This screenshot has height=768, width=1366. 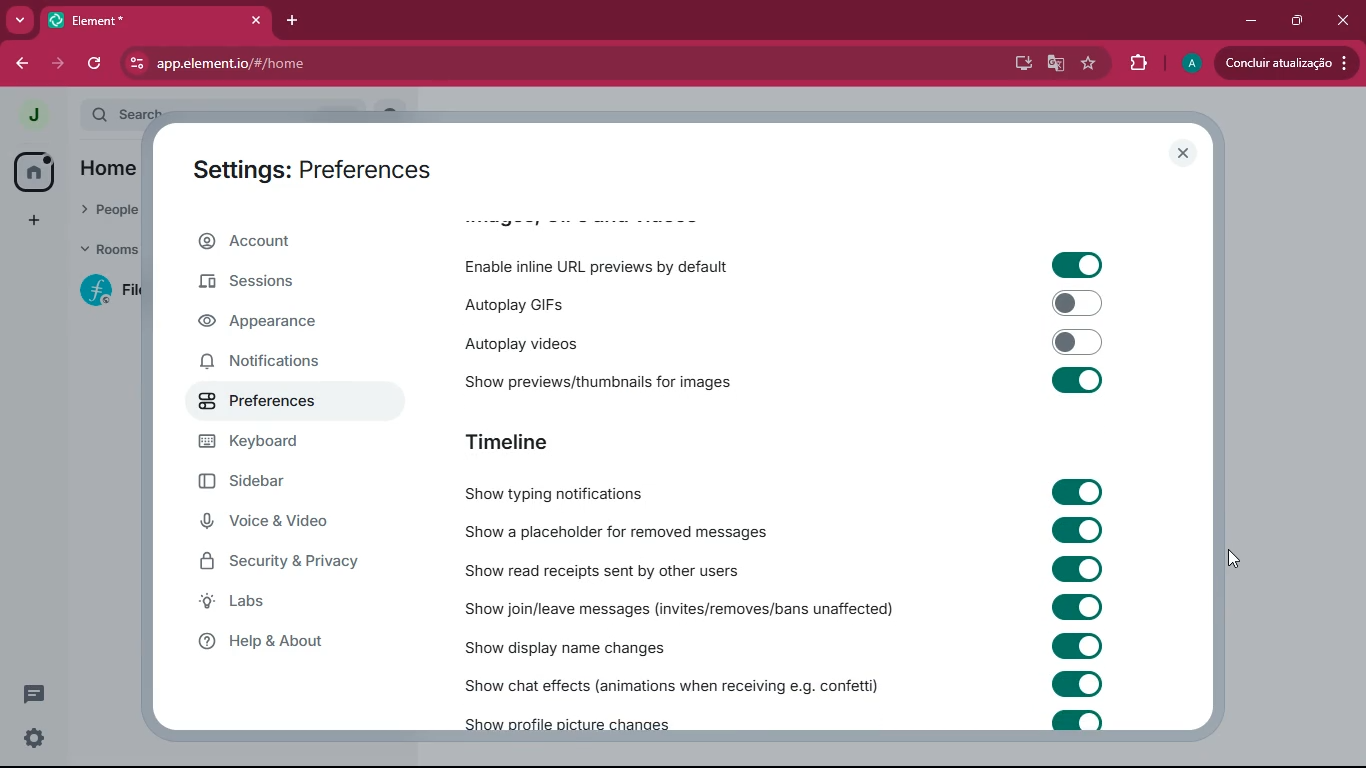 I want to click on tab, so click(x=99, y=20).